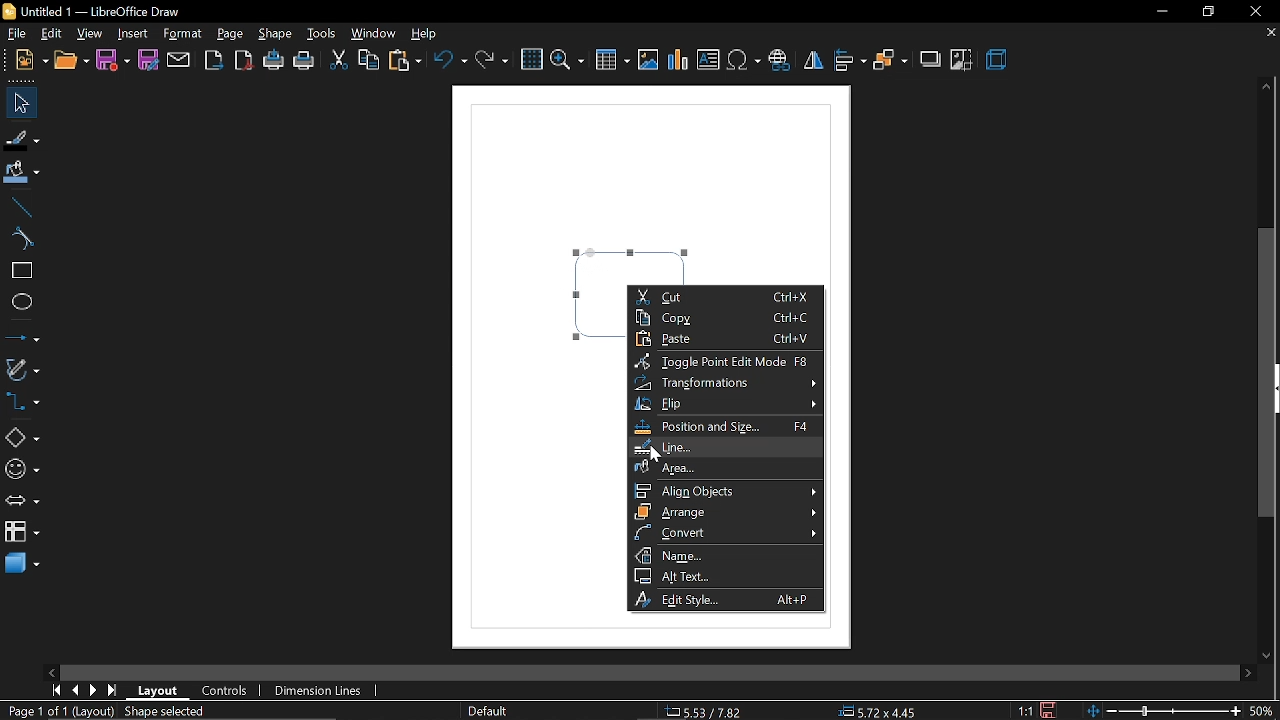 This screenshot has width=1280, height=720. I want to click on insert symbol, so click(745, 61).